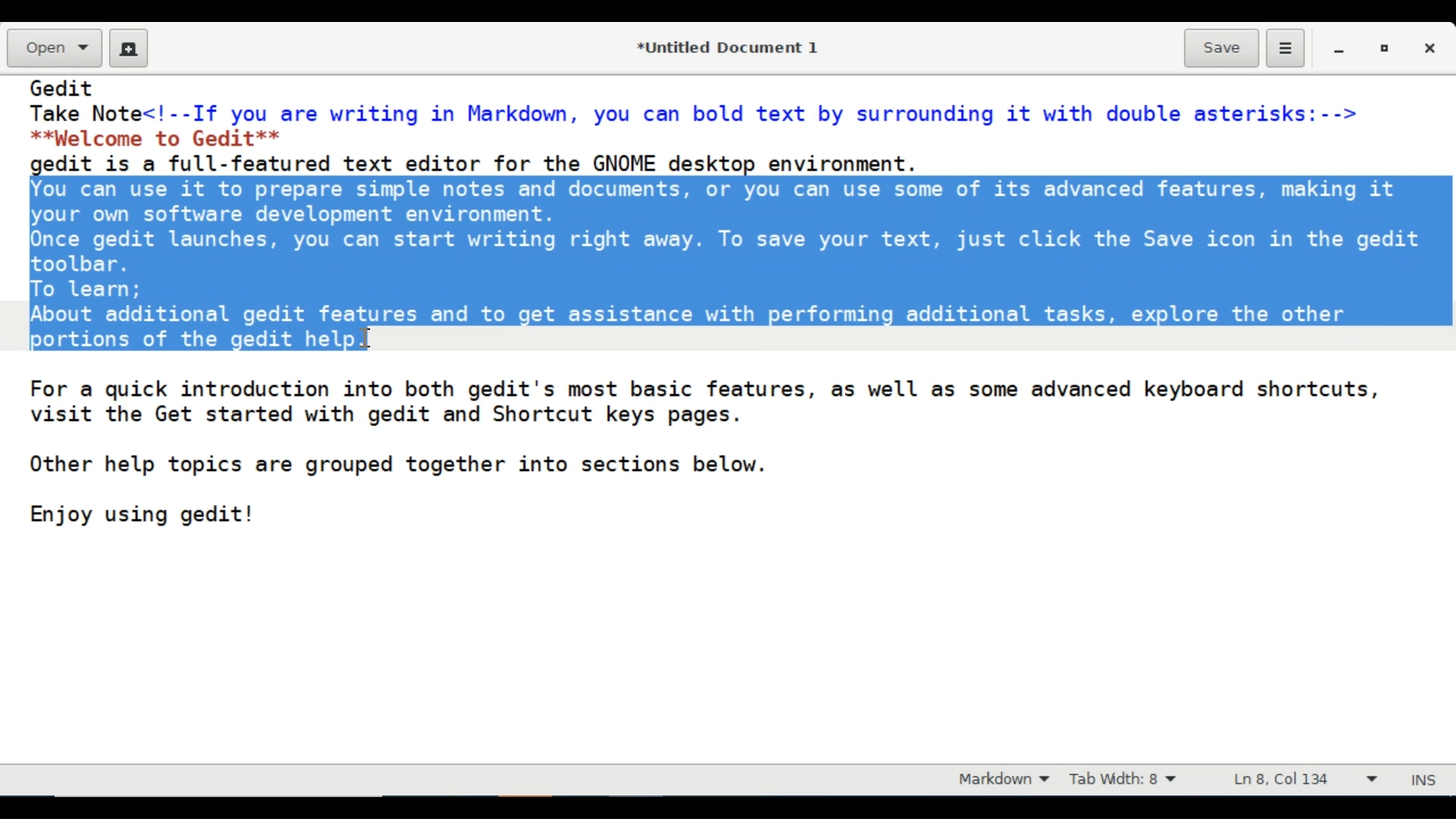 Image resolution: width=1456 pixels, height=819 pixels. Describe the element at coordinates (368, 336) in the screenshot. I see `Insertion cursor` at that location.